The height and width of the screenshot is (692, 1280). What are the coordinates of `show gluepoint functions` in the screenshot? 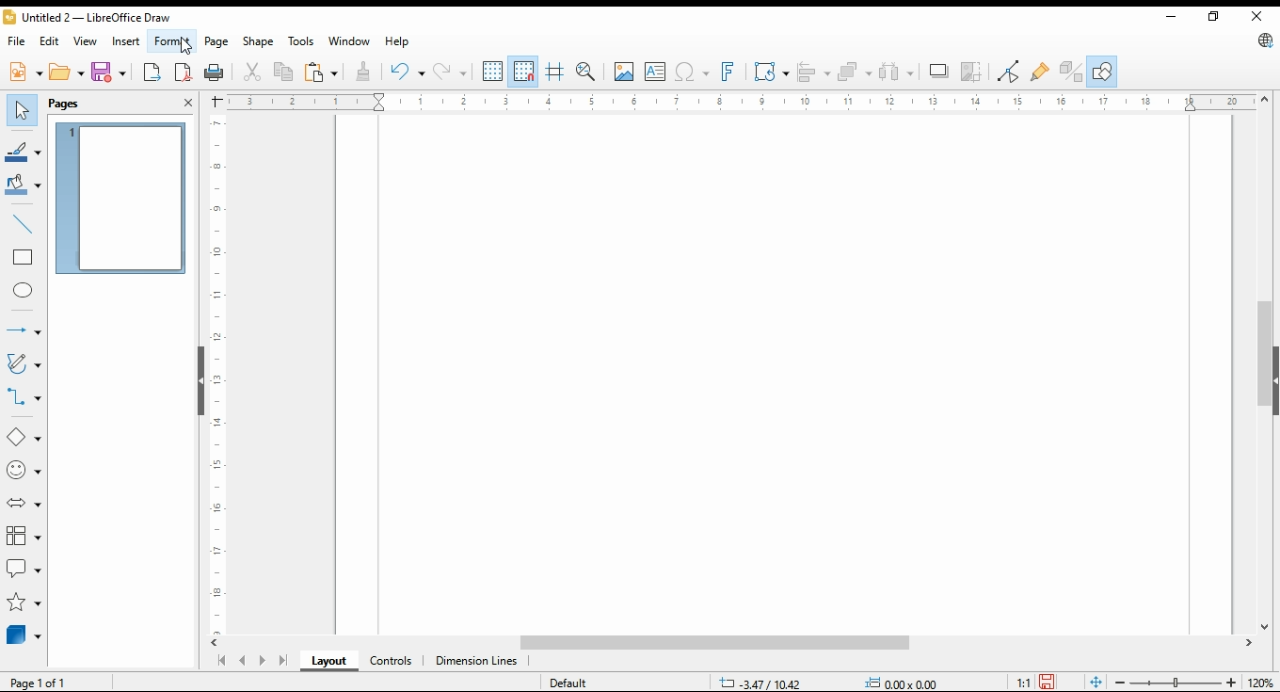 It's located at (1038, 71).